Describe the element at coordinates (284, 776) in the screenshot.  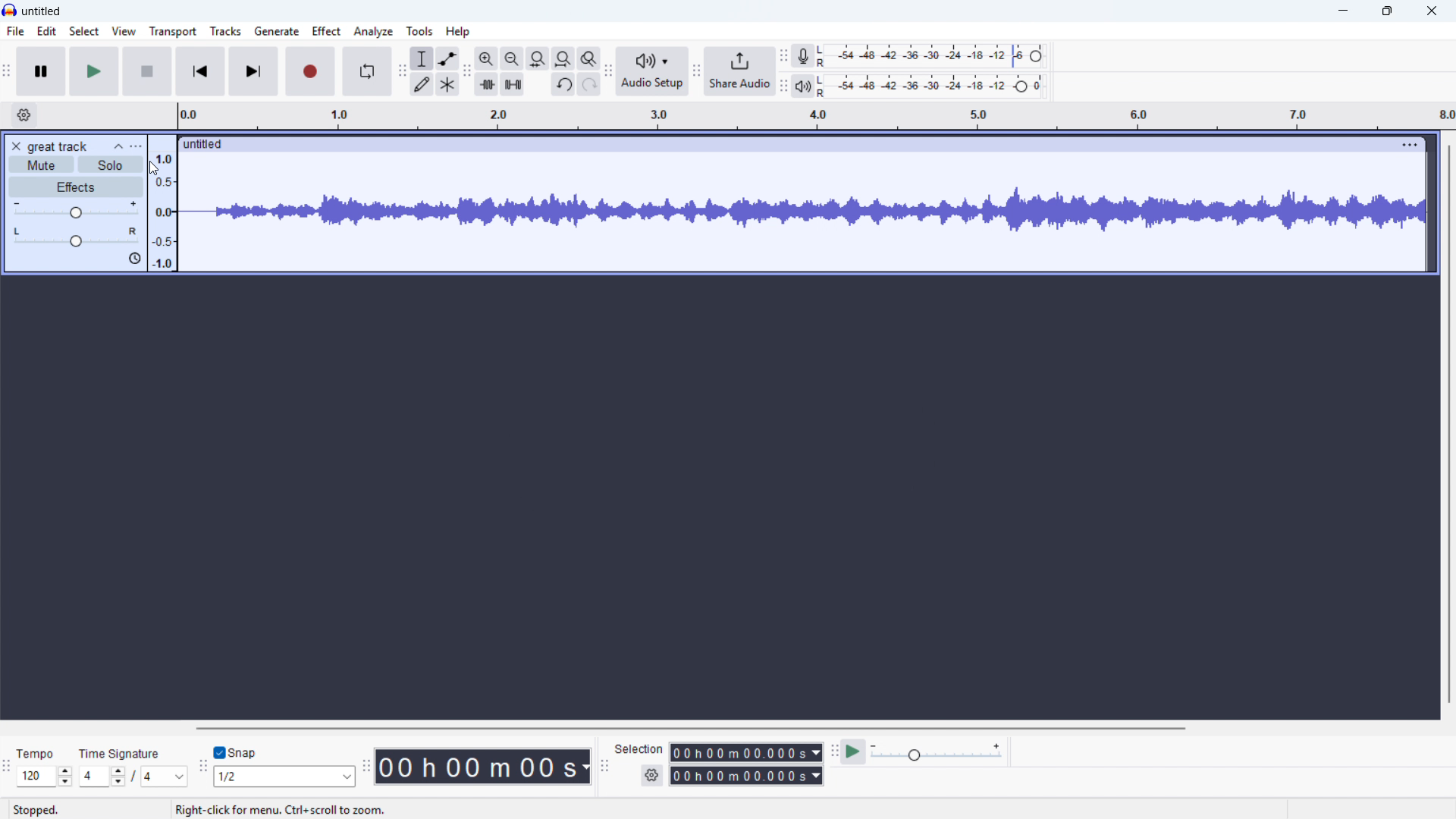
I see `Set snapping ` at that location.